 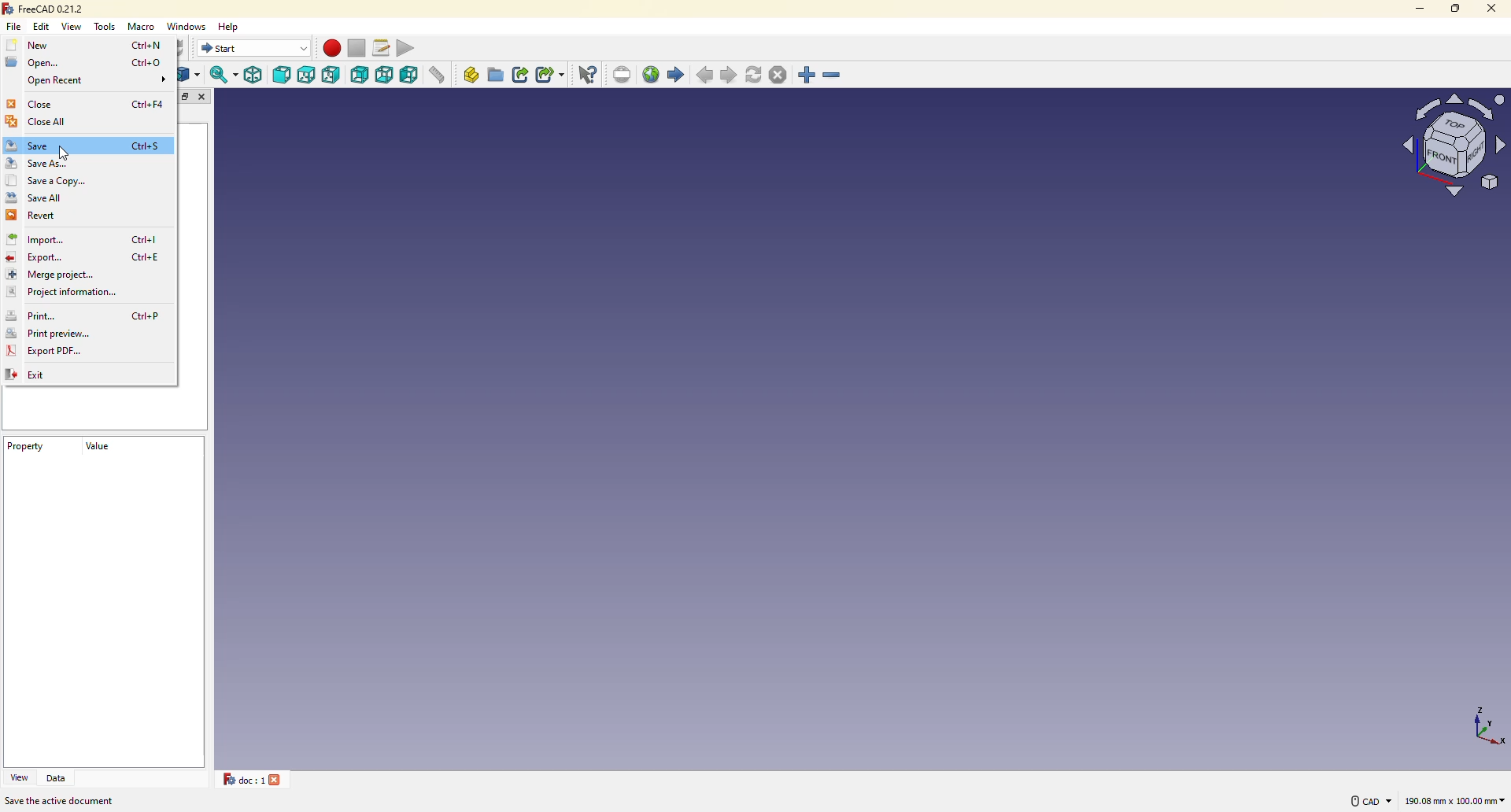 I want to click on start page, so click(x=676, y=75).